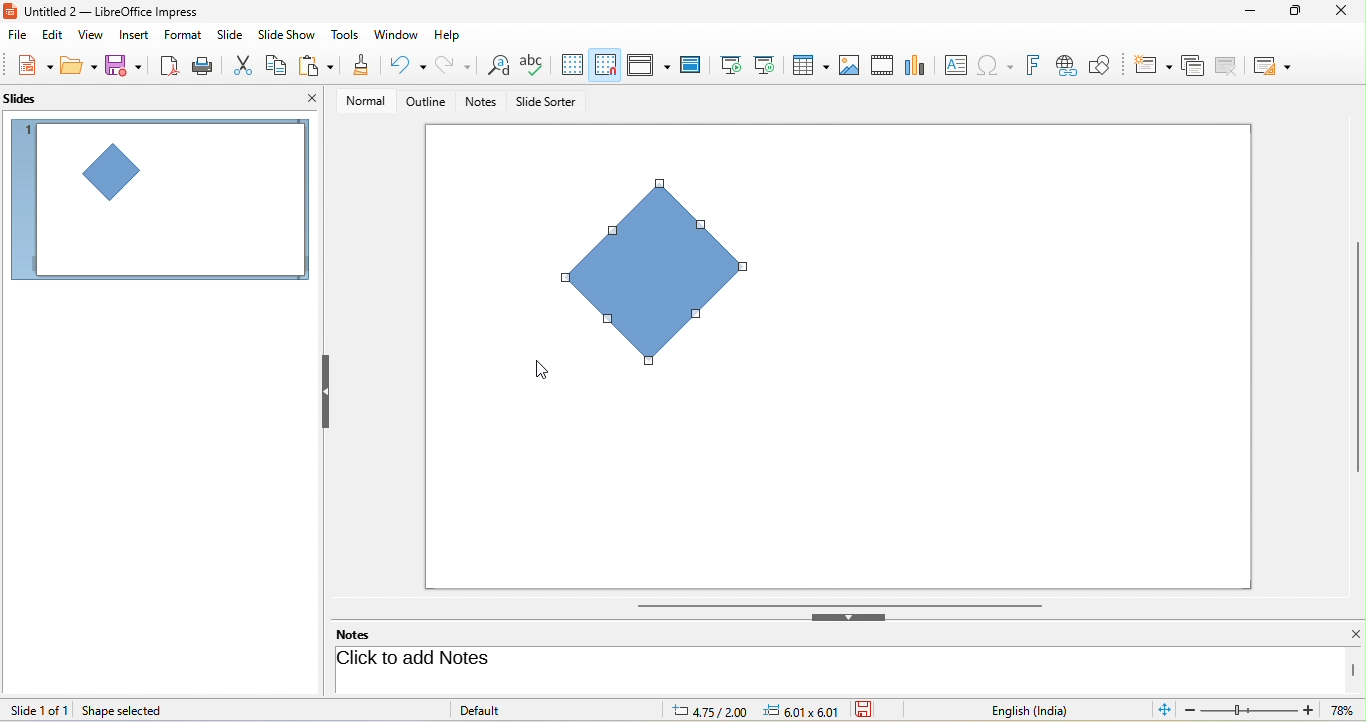 The height and width of the screenshot is (722, 1366). What do you see at coordinates (18, 36) in the screenshot?
I see `file` at bounding box center [18, 36].